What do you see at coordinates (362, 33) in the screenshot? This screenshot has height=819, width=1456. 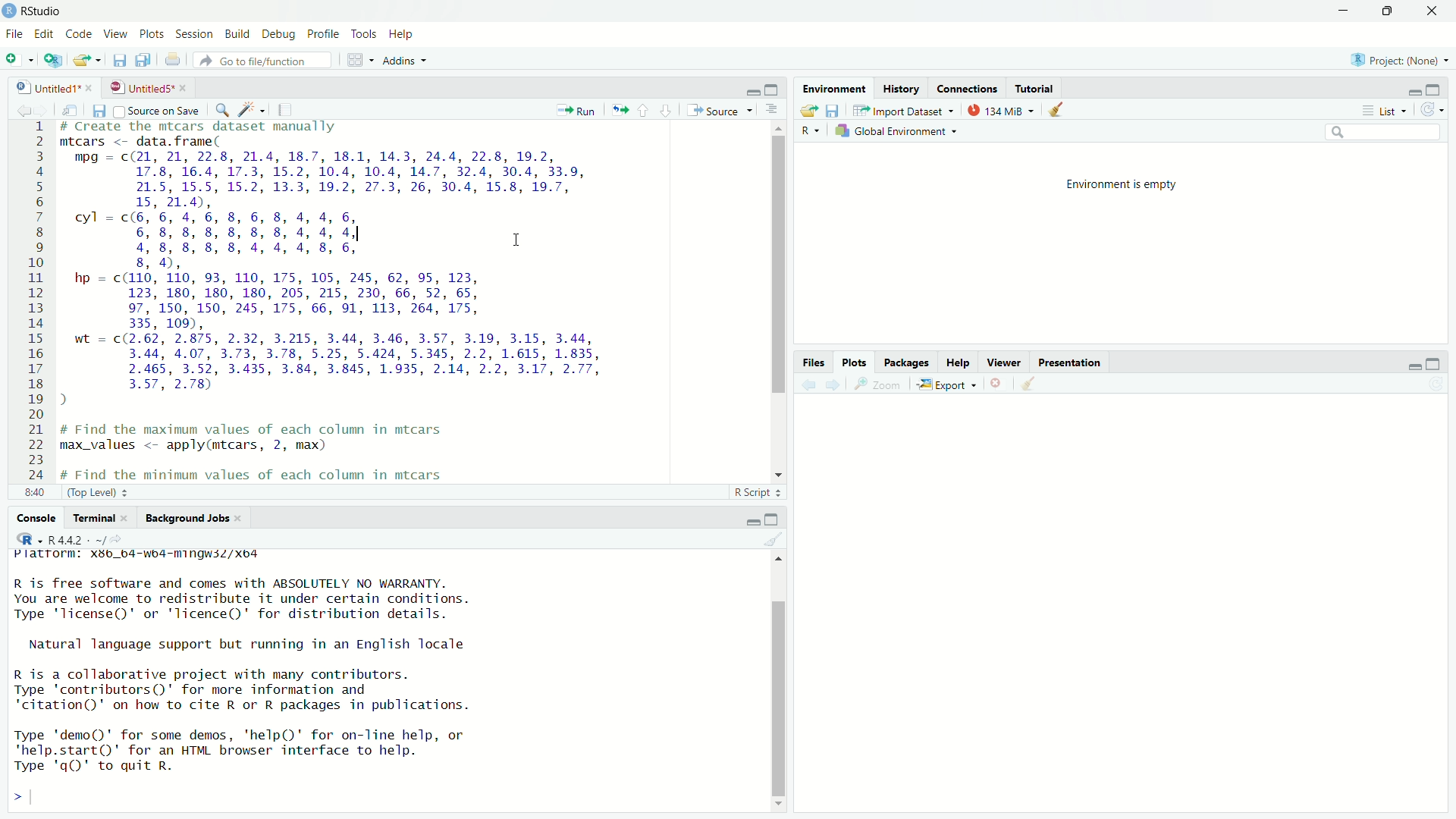 I see `Tools` at bounding box center [362, 33].